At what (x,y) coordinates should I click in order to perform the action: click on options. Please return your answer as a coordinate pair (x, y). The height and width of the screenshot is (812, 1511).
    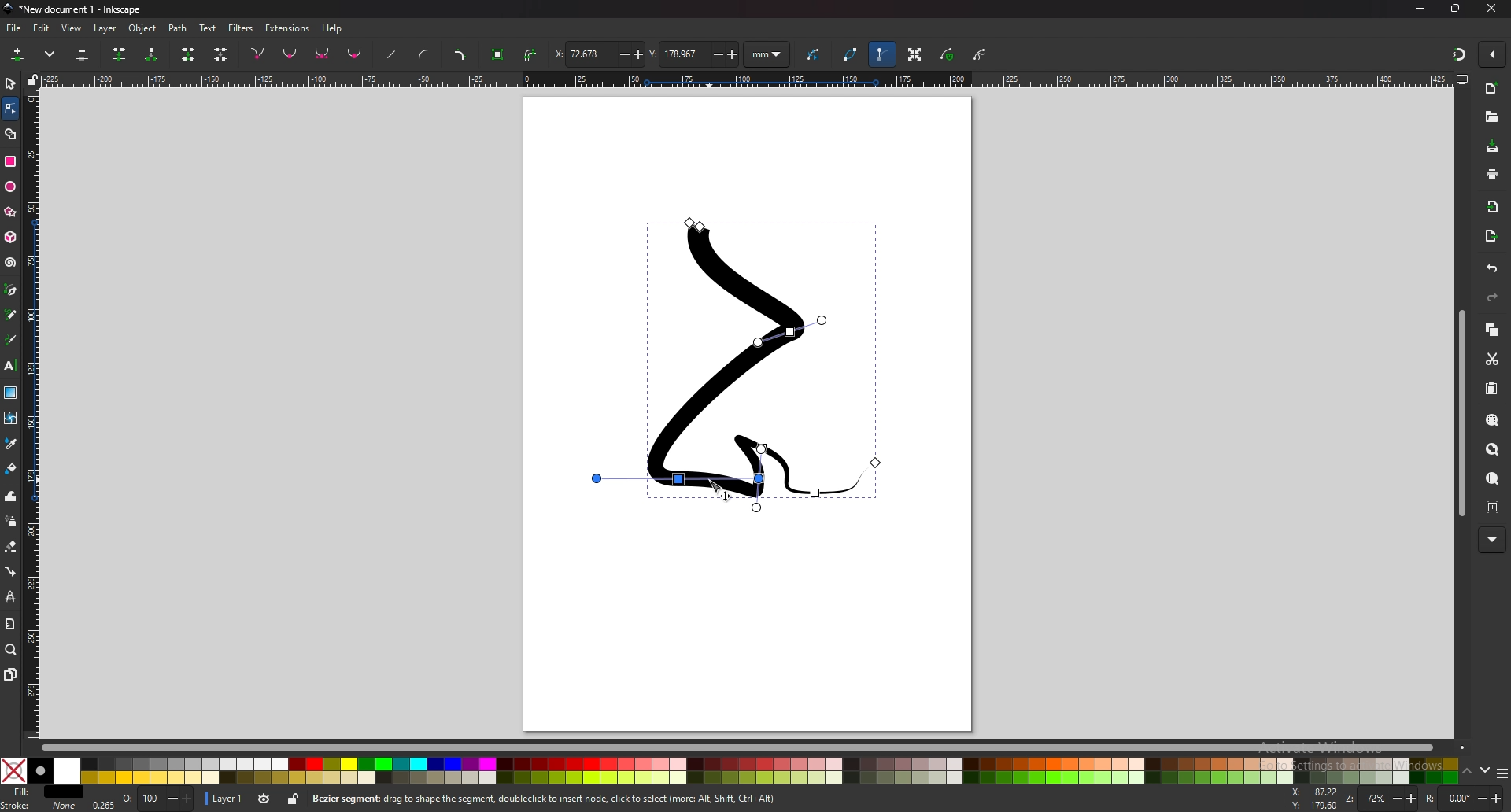
    Looking at the image, I should click on (1502, 773).